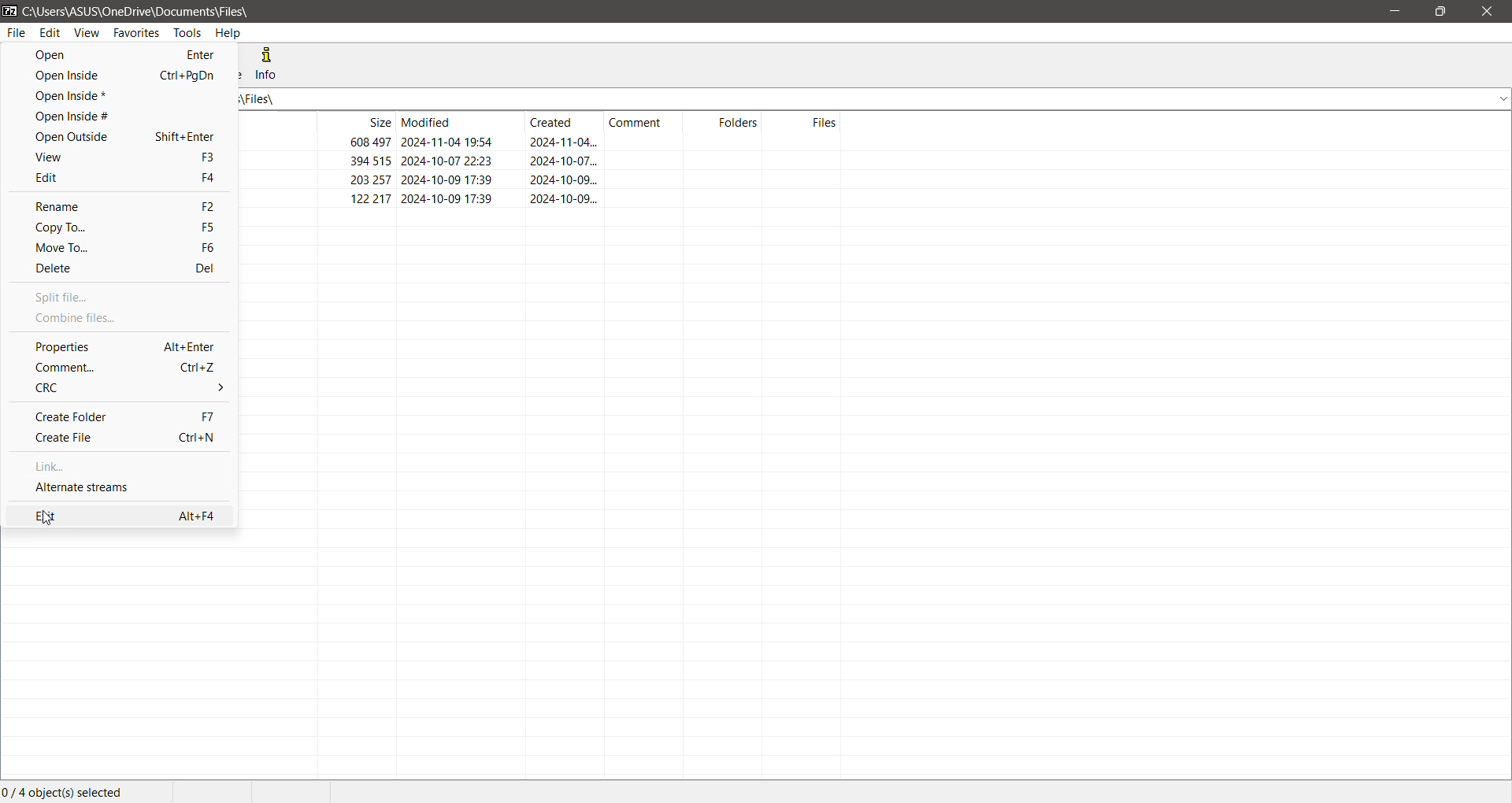 The width and height of the screenshot is (1512, 803). Describe the element at coordinates (54, 389) in the screenshot. I see `CRC` at that location.